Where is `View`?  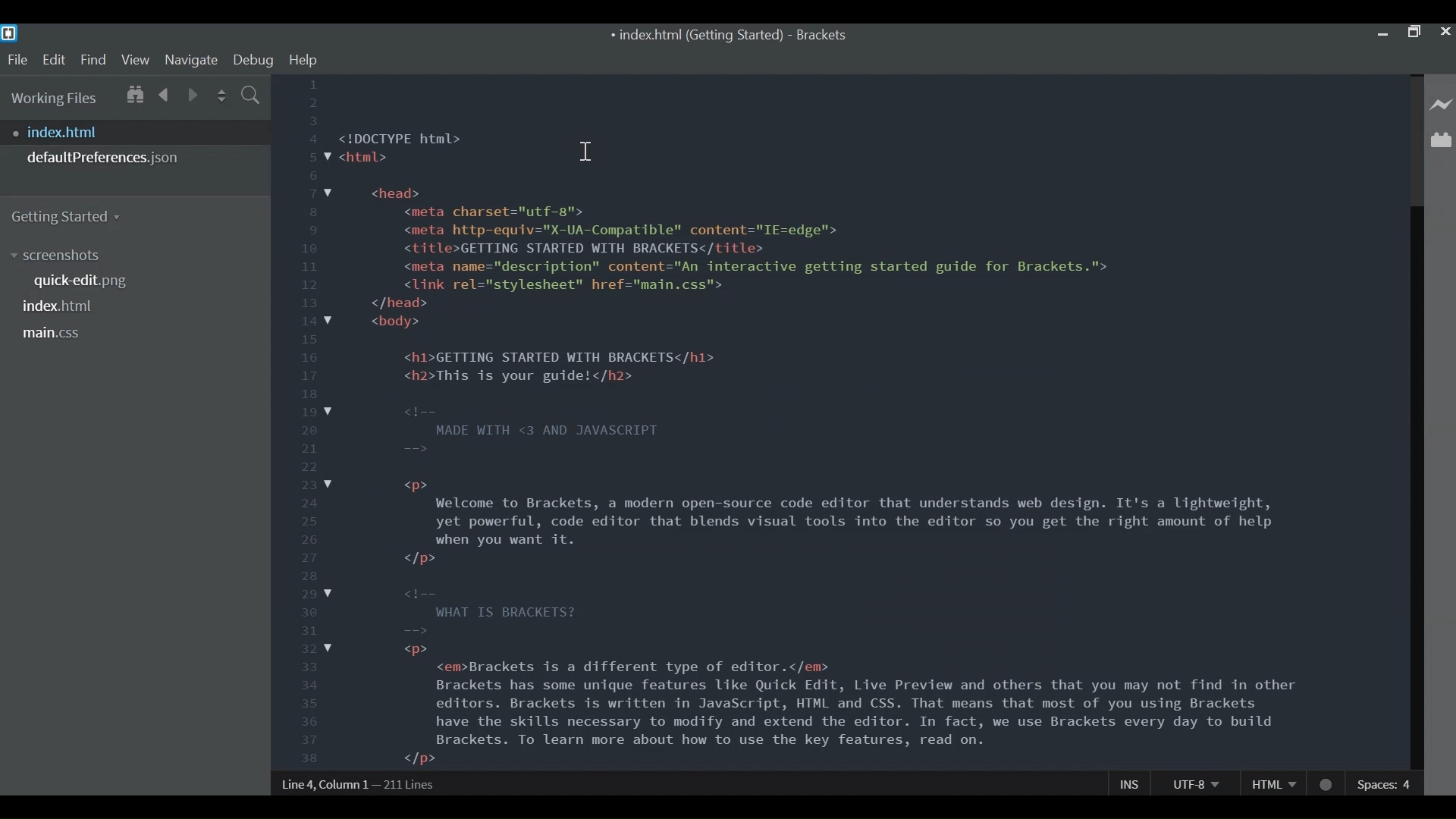
View is located at coordinates (136, 59).